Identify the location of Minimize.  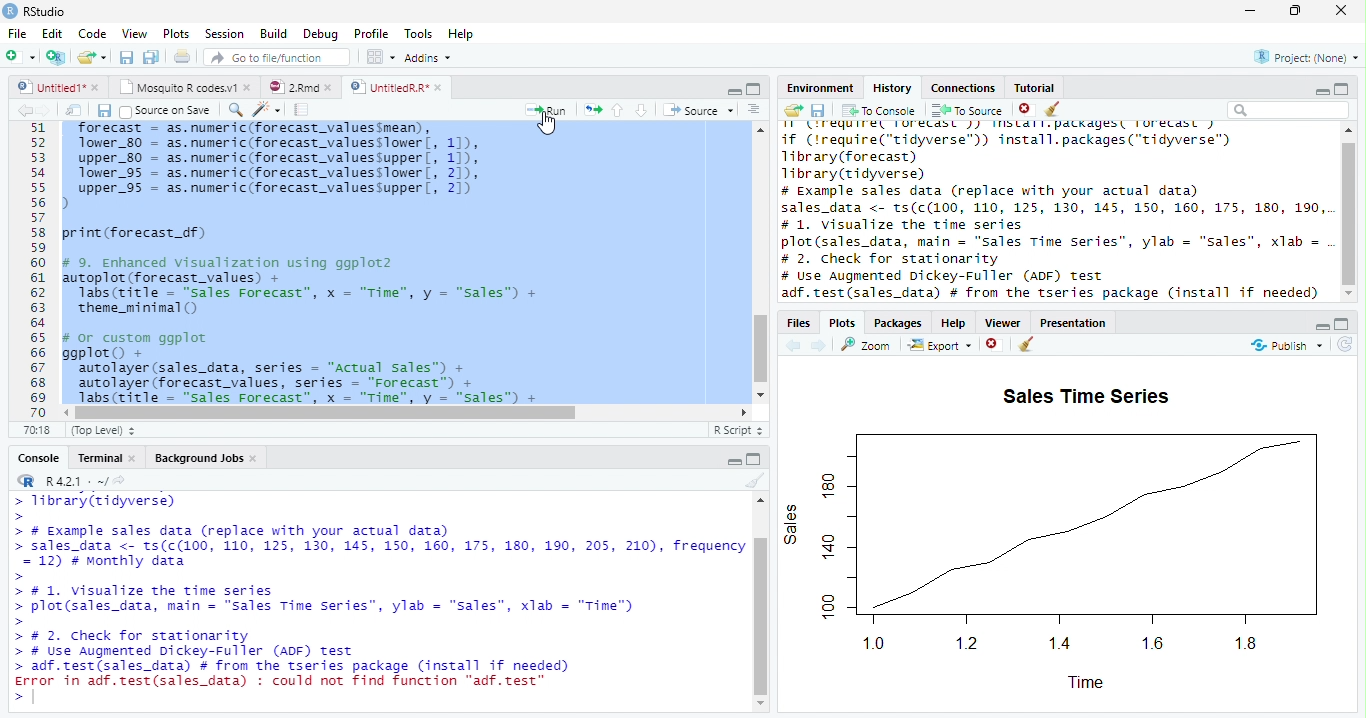
(1321, 89).